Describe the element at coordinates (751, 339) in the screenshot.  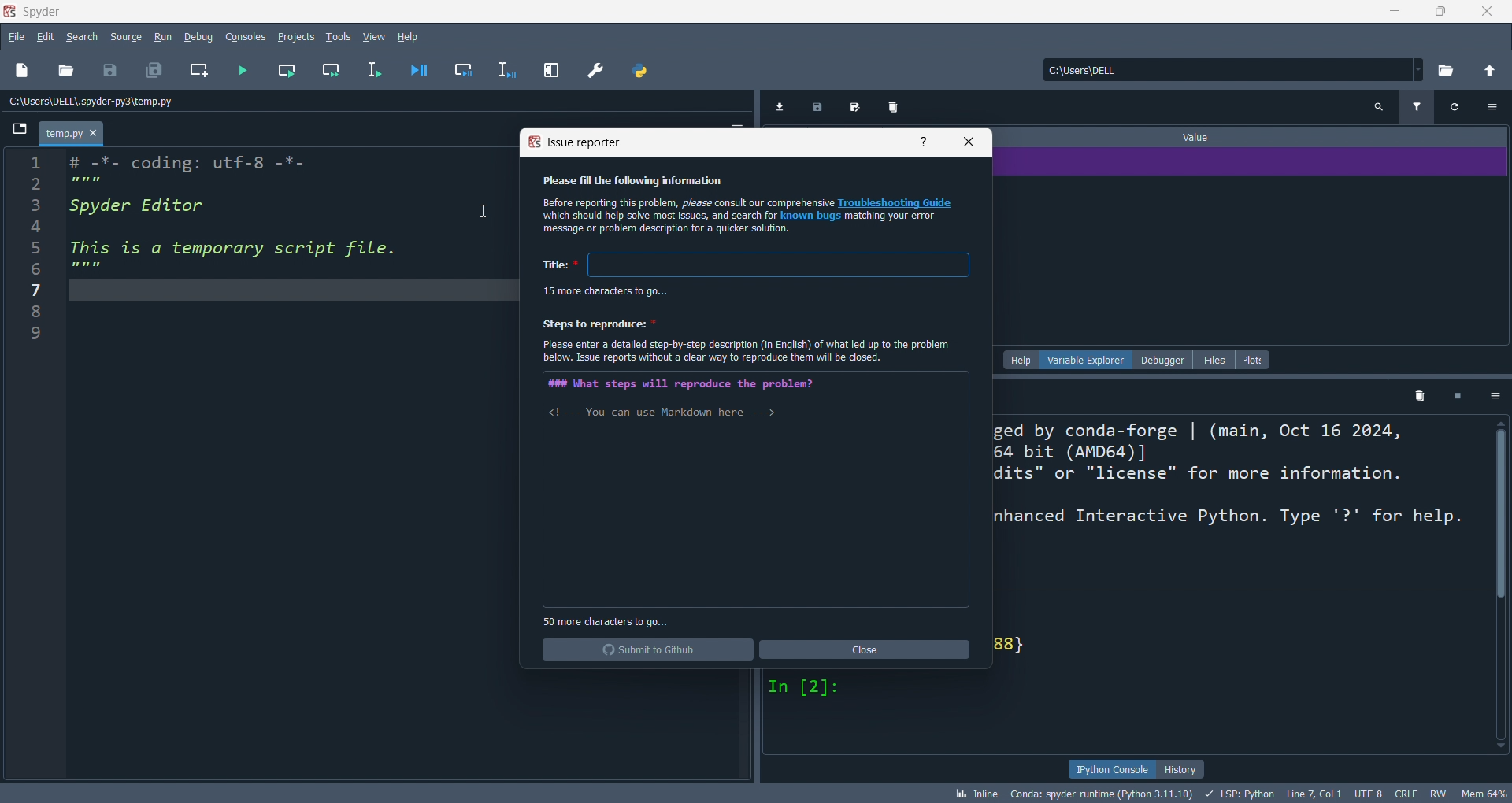
I see `Steps to reproduce:
Please enter a detailed step-by-step description (in English) of what led up to the problem
below. Issue reports without a clear way to reproduce them will be closed.` at that location.